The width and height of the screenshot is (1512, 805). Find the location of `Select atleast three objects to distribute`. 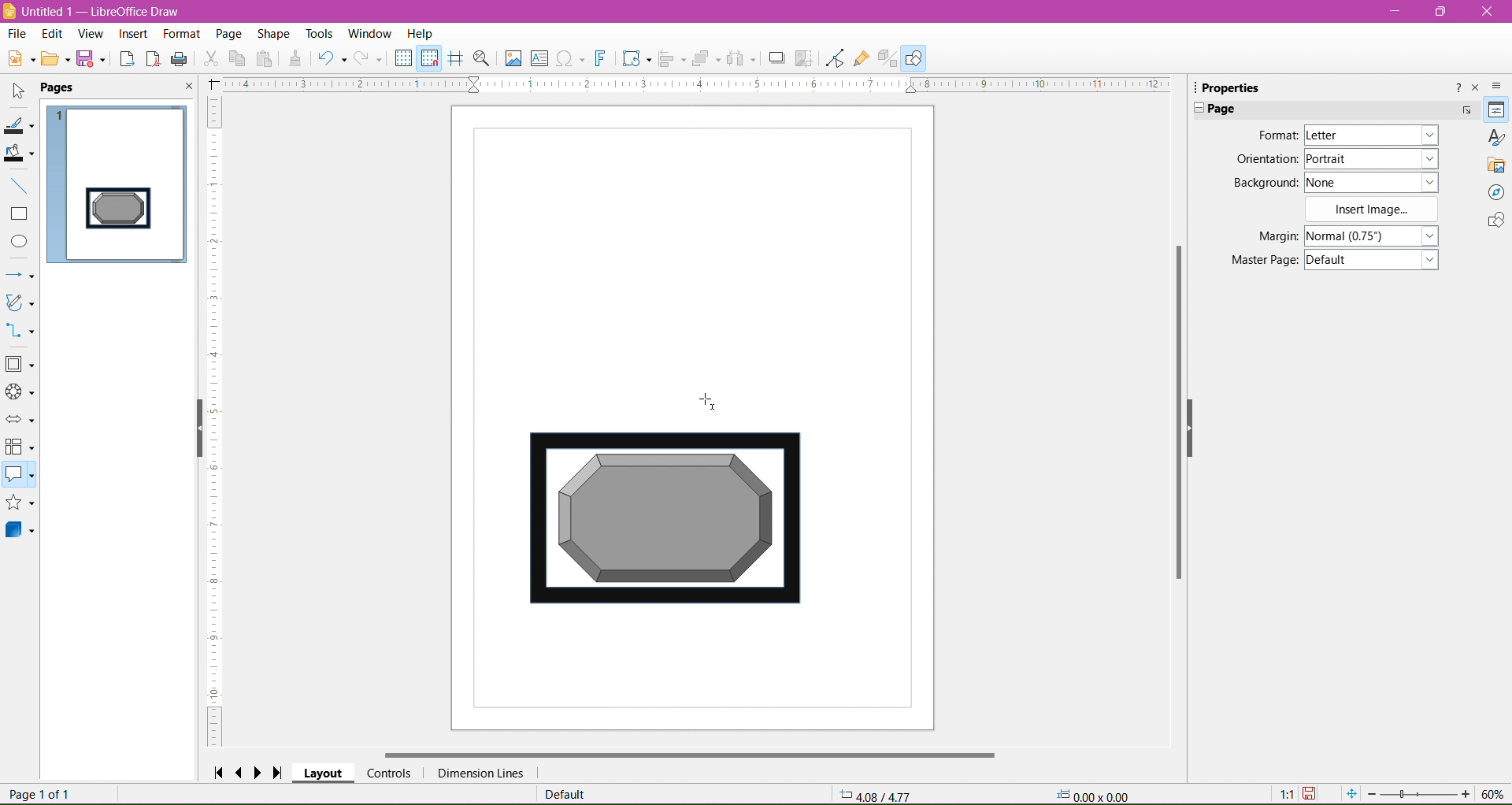

Select atleast three objects to distribute is located at coordinates (741, 58).